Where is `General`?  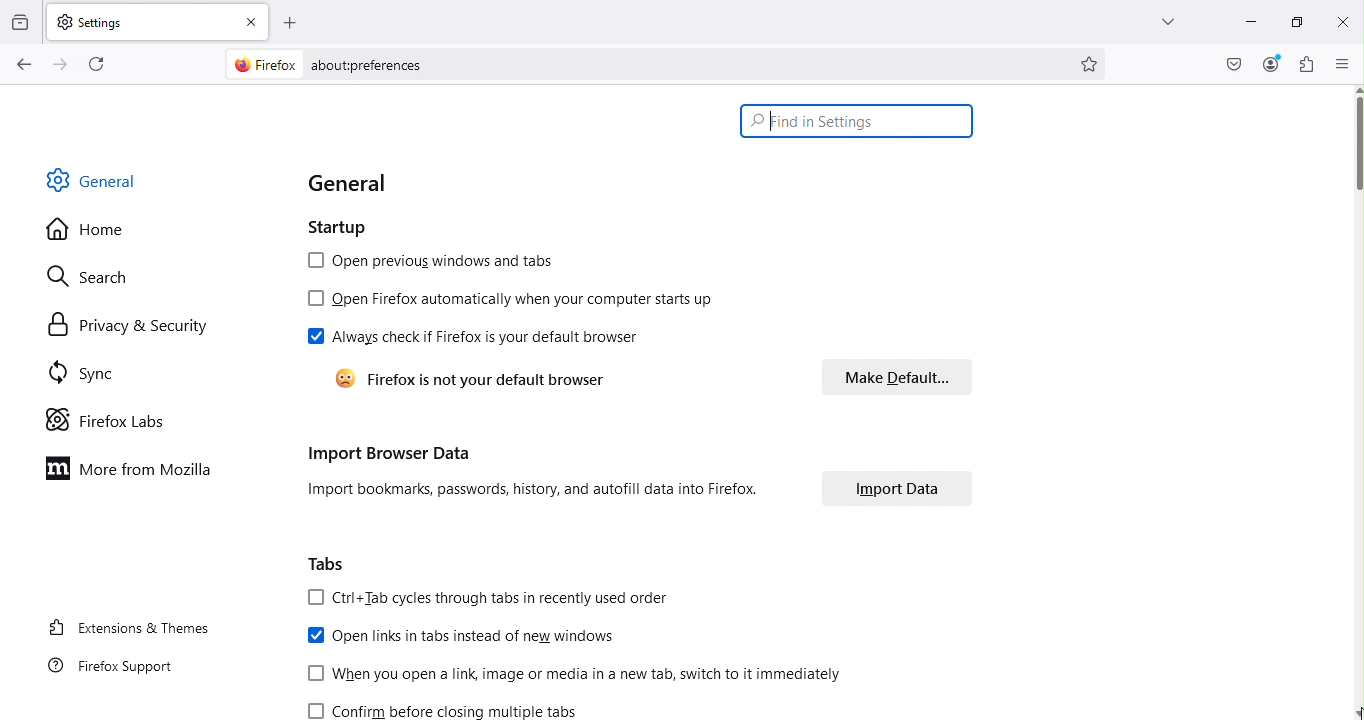
General is located at coordinates (98, 179).